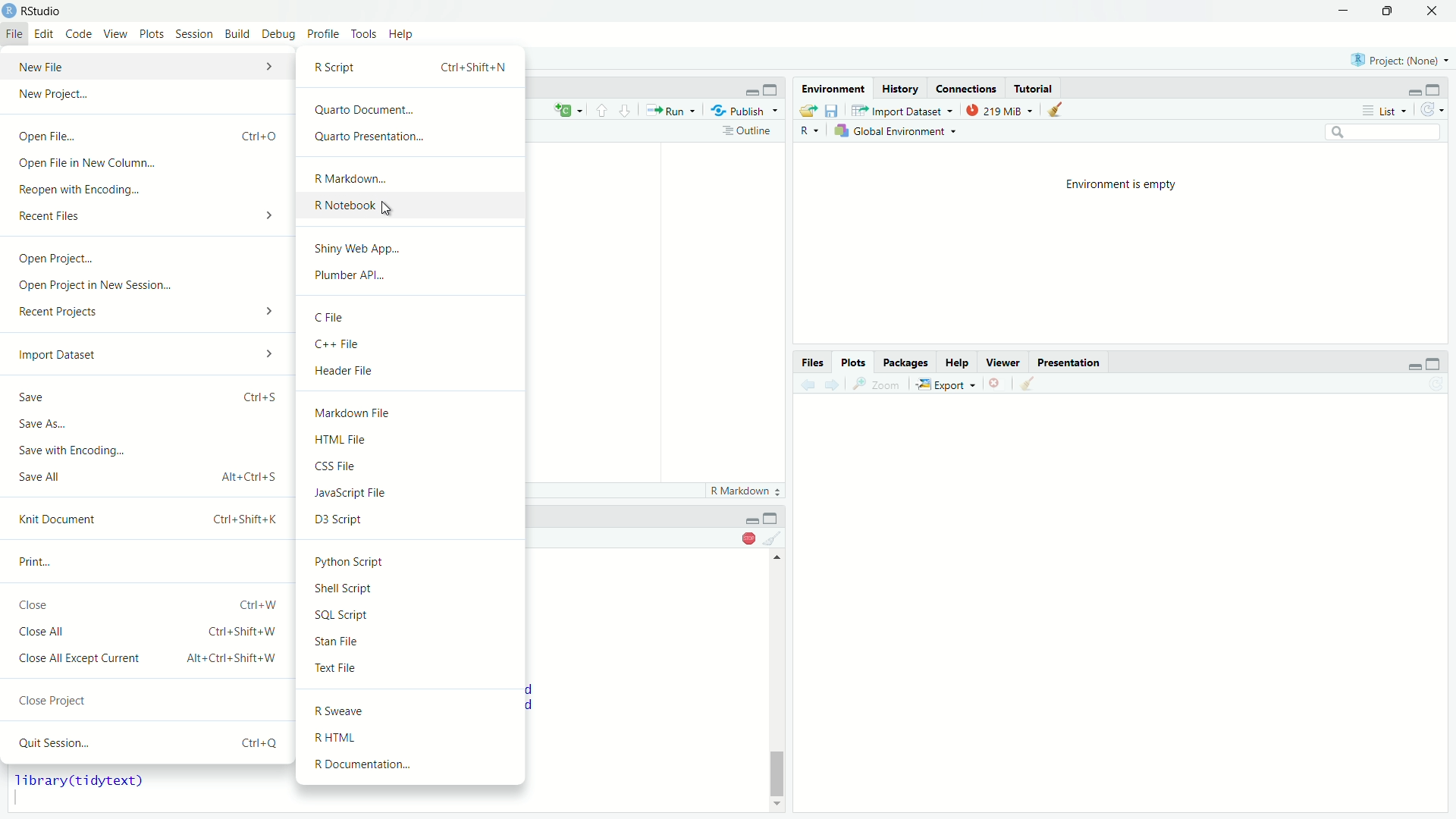 The height and width of the screenshot is (819, 1456). I want to click on Minimize, so click(1344, 11).